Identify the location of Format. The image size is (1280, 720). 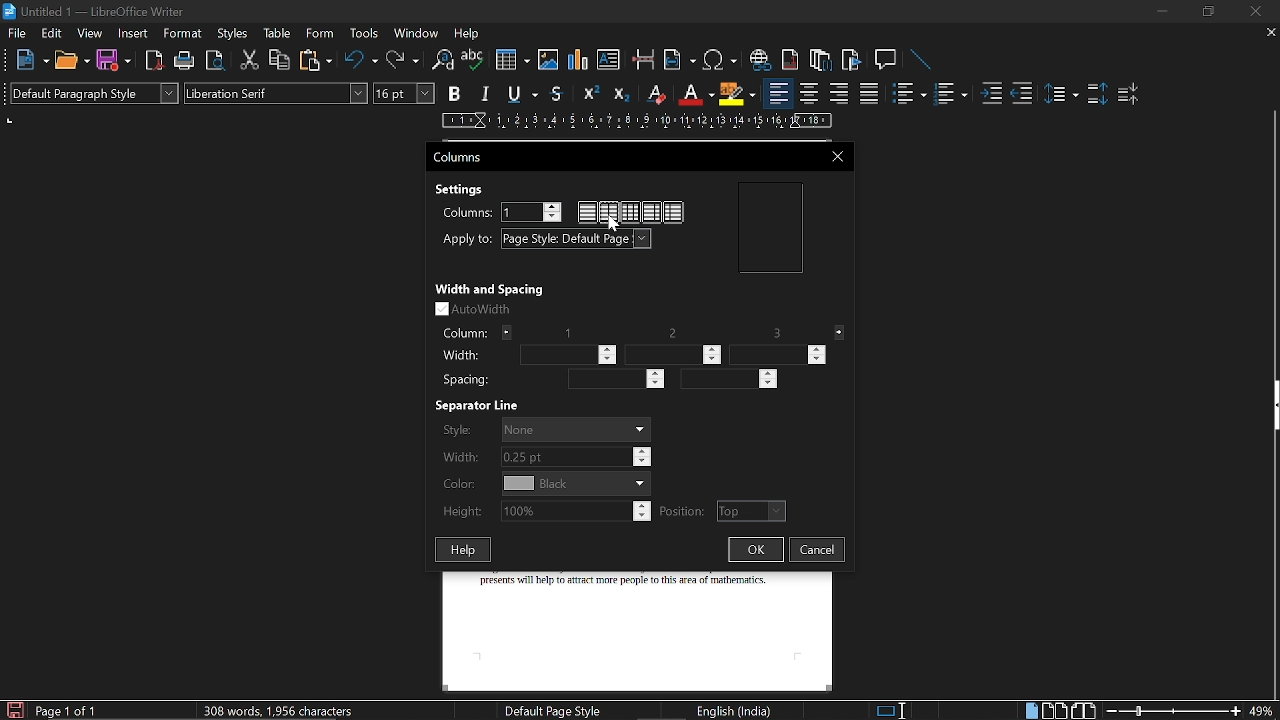
(186, 33).